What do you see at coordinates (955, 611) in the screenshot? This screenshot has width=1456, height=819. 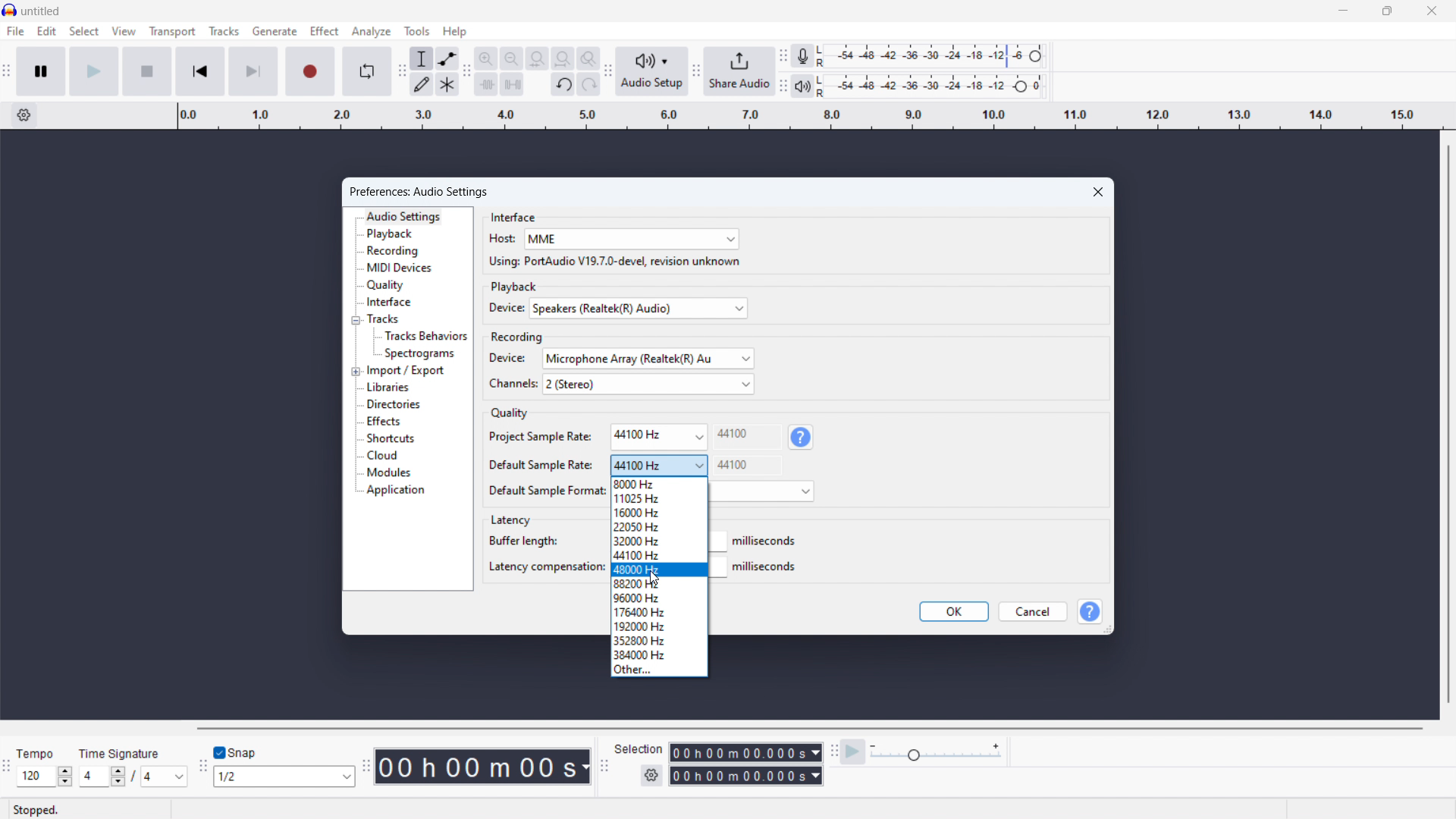 I see `ok` at bounding box center [955, 611].